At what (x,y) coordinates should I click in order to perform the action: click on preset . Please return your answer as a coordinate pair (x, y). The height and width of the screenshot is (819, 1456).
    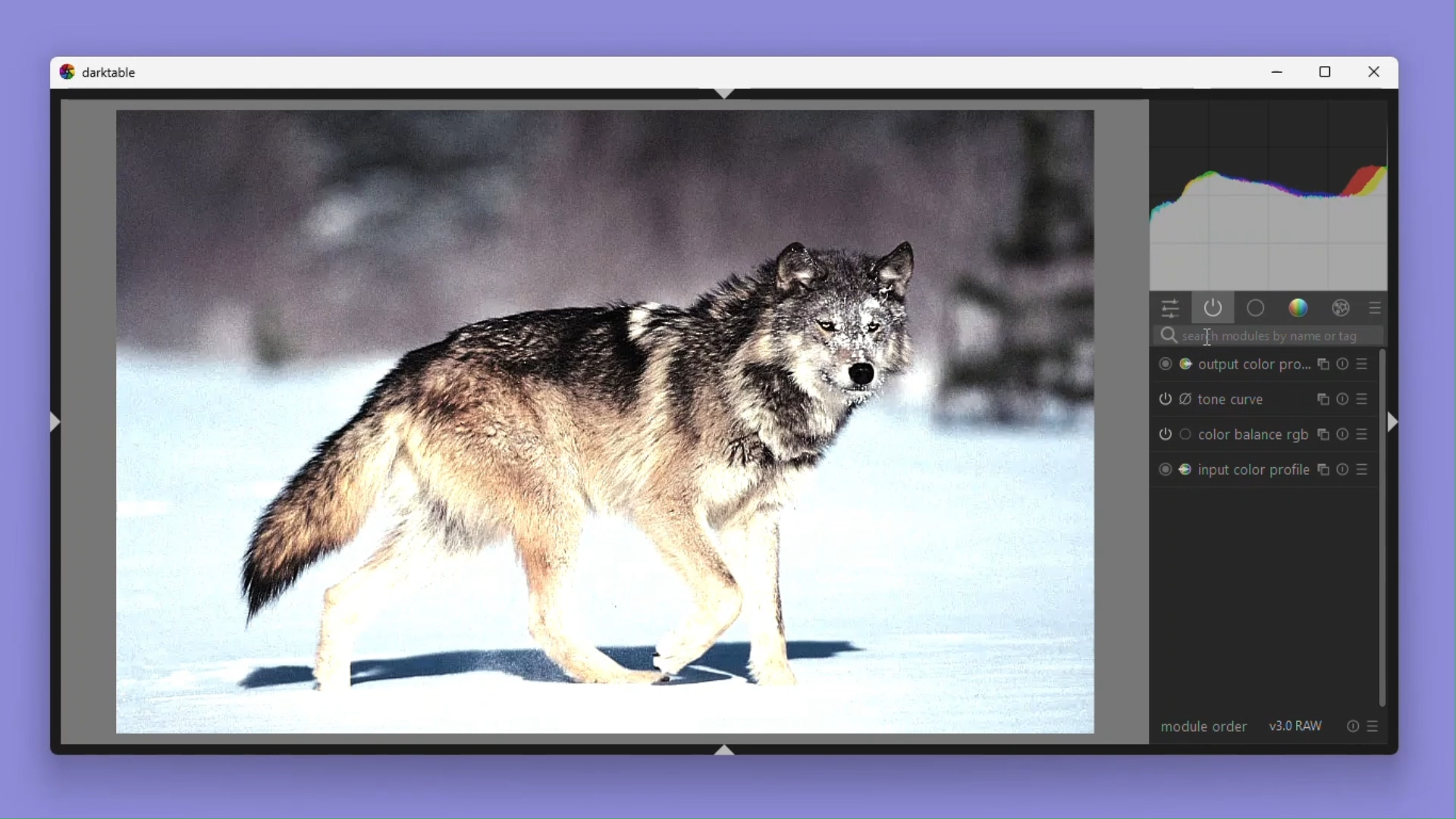
    Looking at the image, I should click on (1374, 725).